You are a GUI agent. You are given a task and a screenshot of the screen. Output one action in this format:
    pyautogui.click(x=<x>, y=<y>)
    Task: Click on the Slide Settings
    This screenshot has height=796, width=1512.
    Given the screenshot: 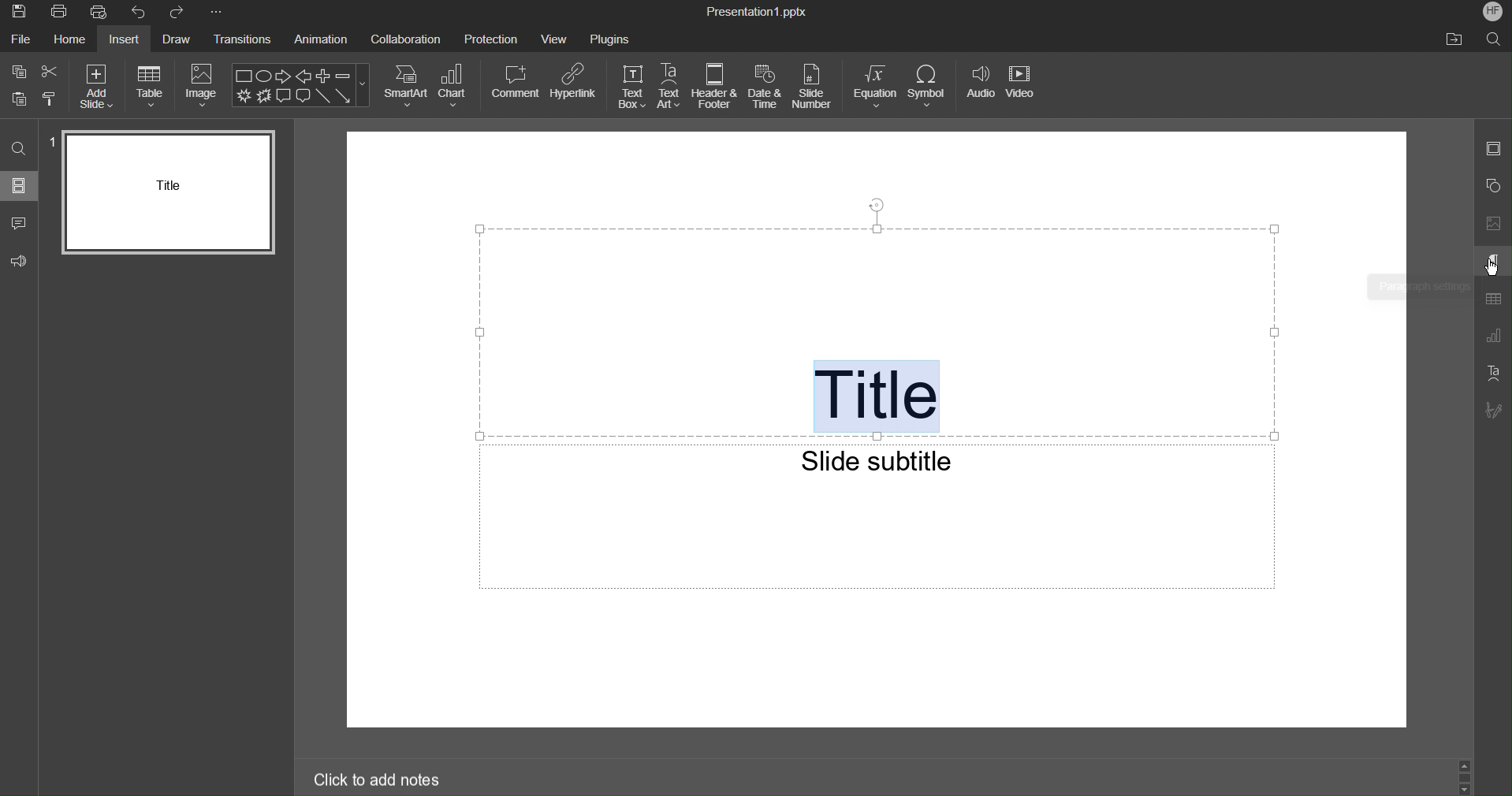 What is the action you would take?
    pyautogui.click(x=1493, y=151)
    